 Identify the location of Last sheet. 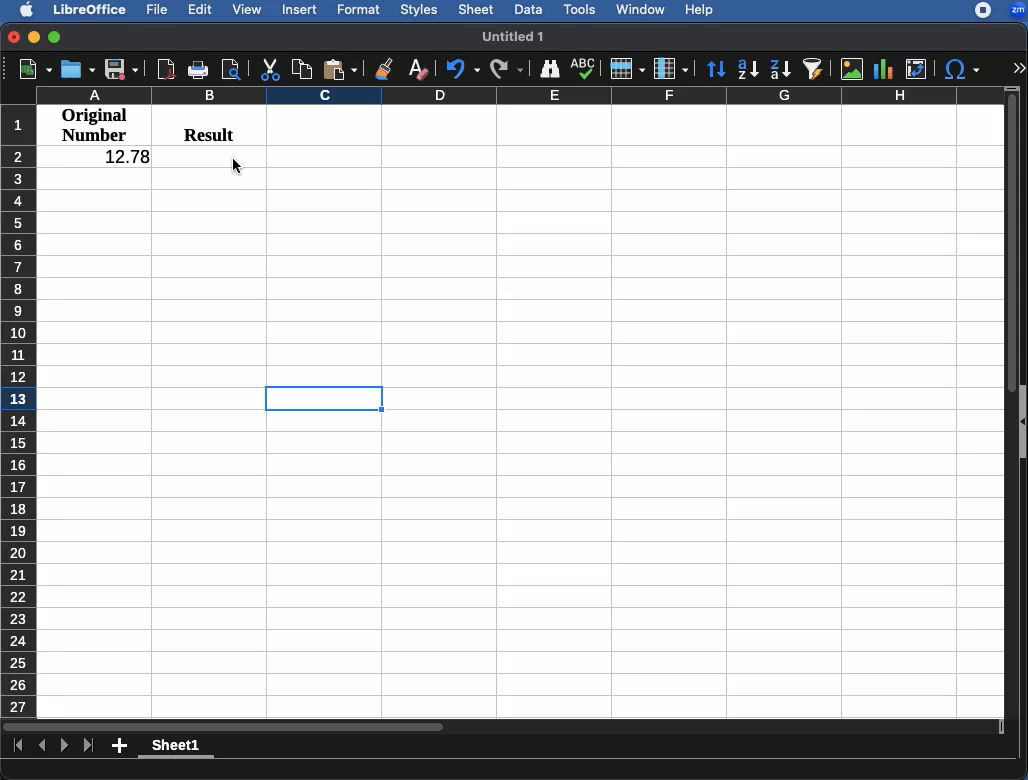
(90, 747).